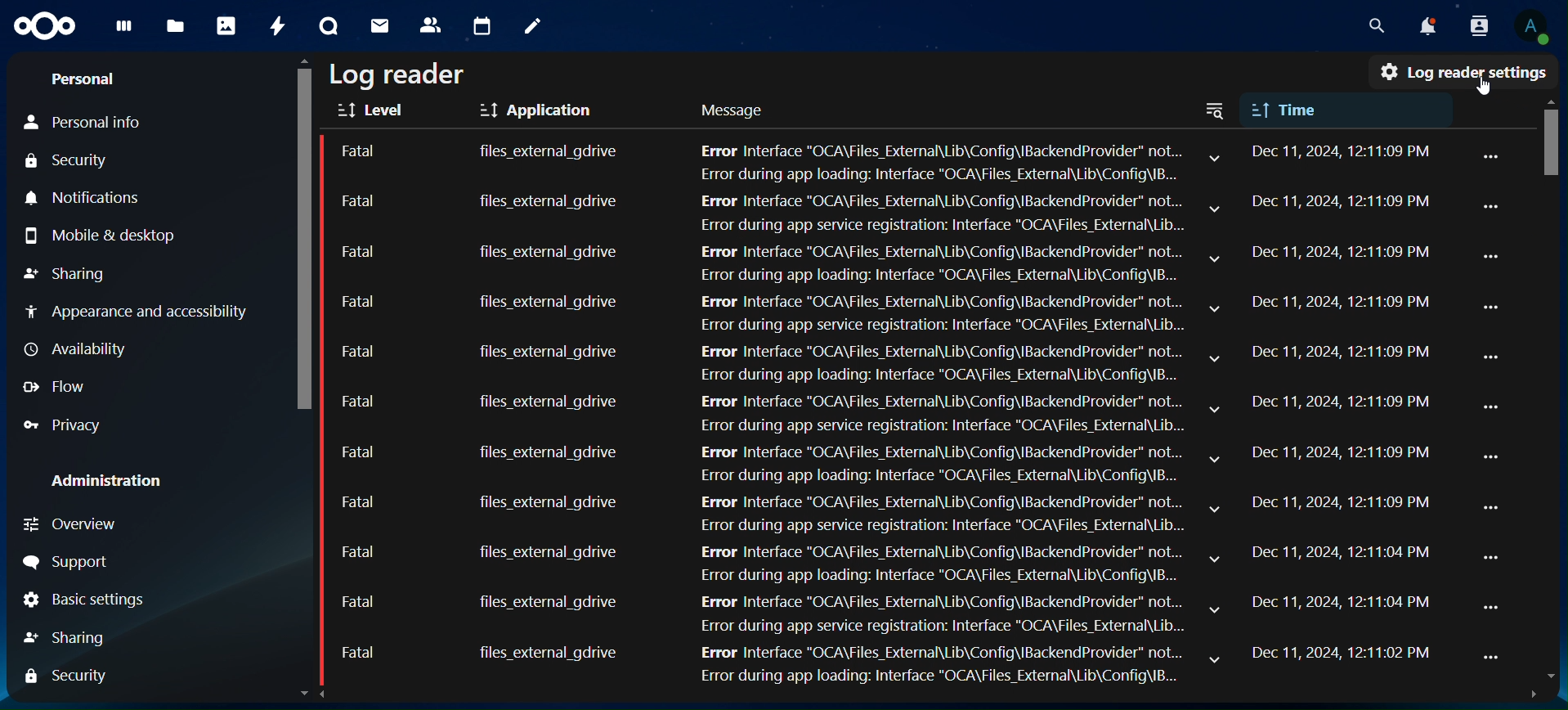 Image resolution: width=1568 pixels, height=710 pixels. I want to click on information about log level, application, it's message and time details, so click(887, 312).